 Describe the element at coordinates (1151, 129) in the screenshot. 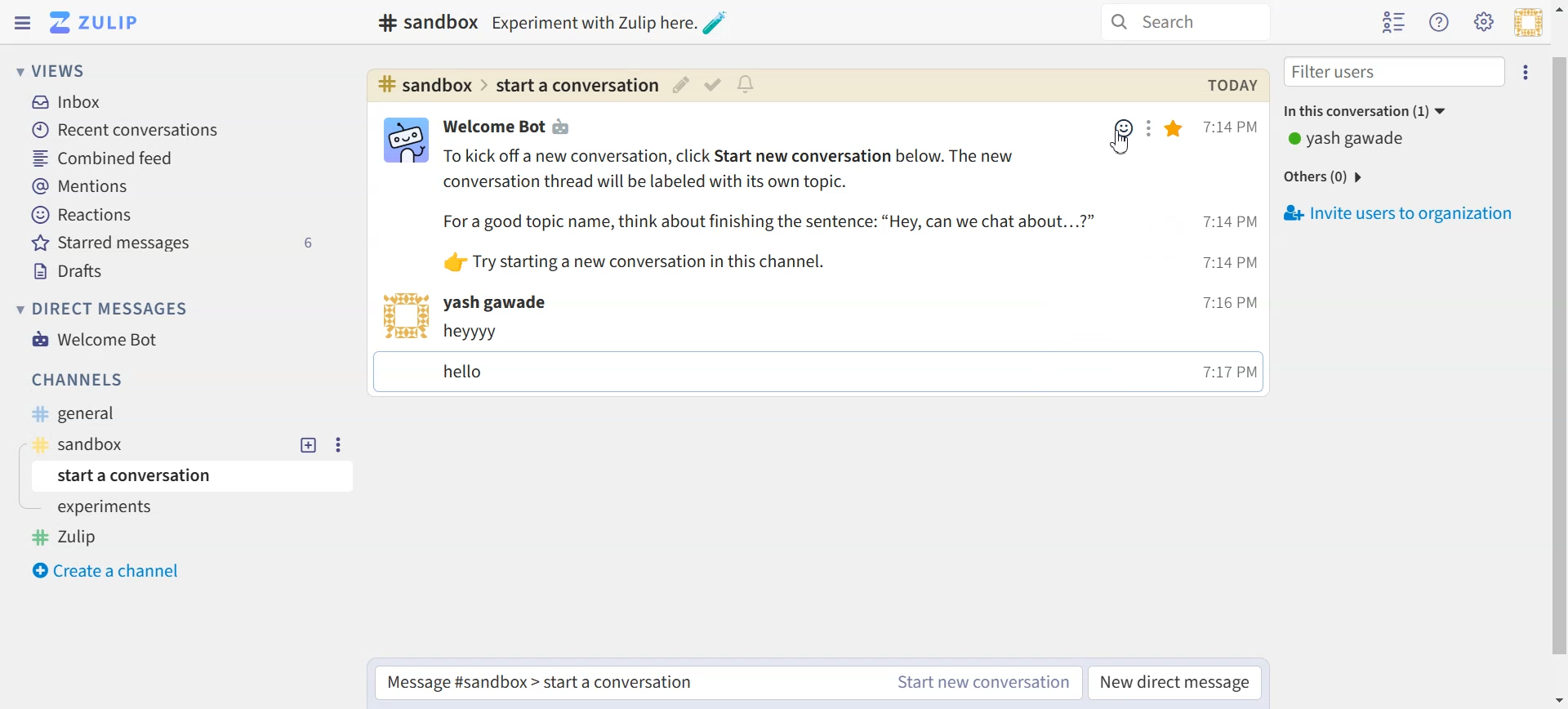

I see `Settings` at that location.